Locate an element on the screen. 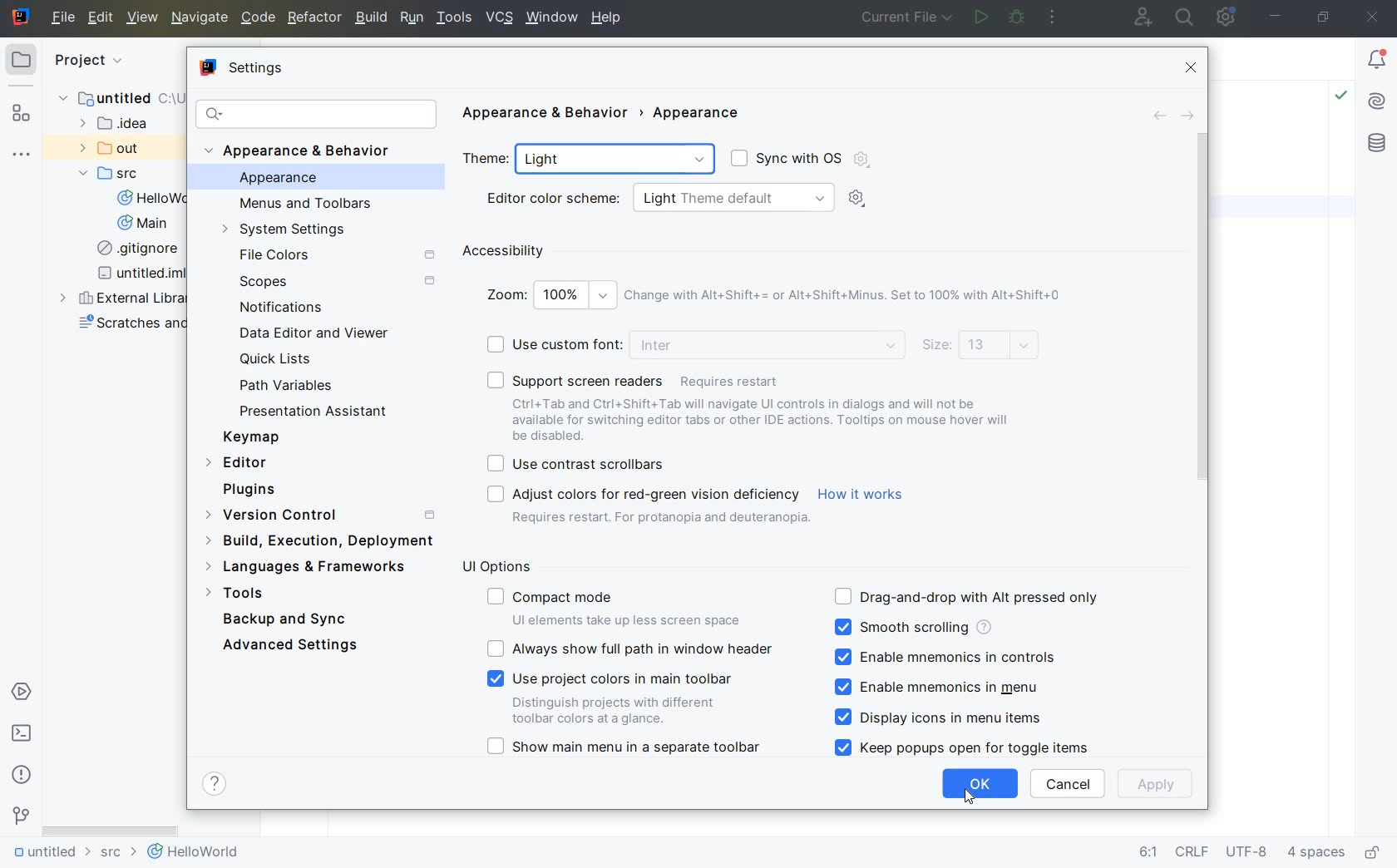  TERMINAL is located at coordinates (22, 736).